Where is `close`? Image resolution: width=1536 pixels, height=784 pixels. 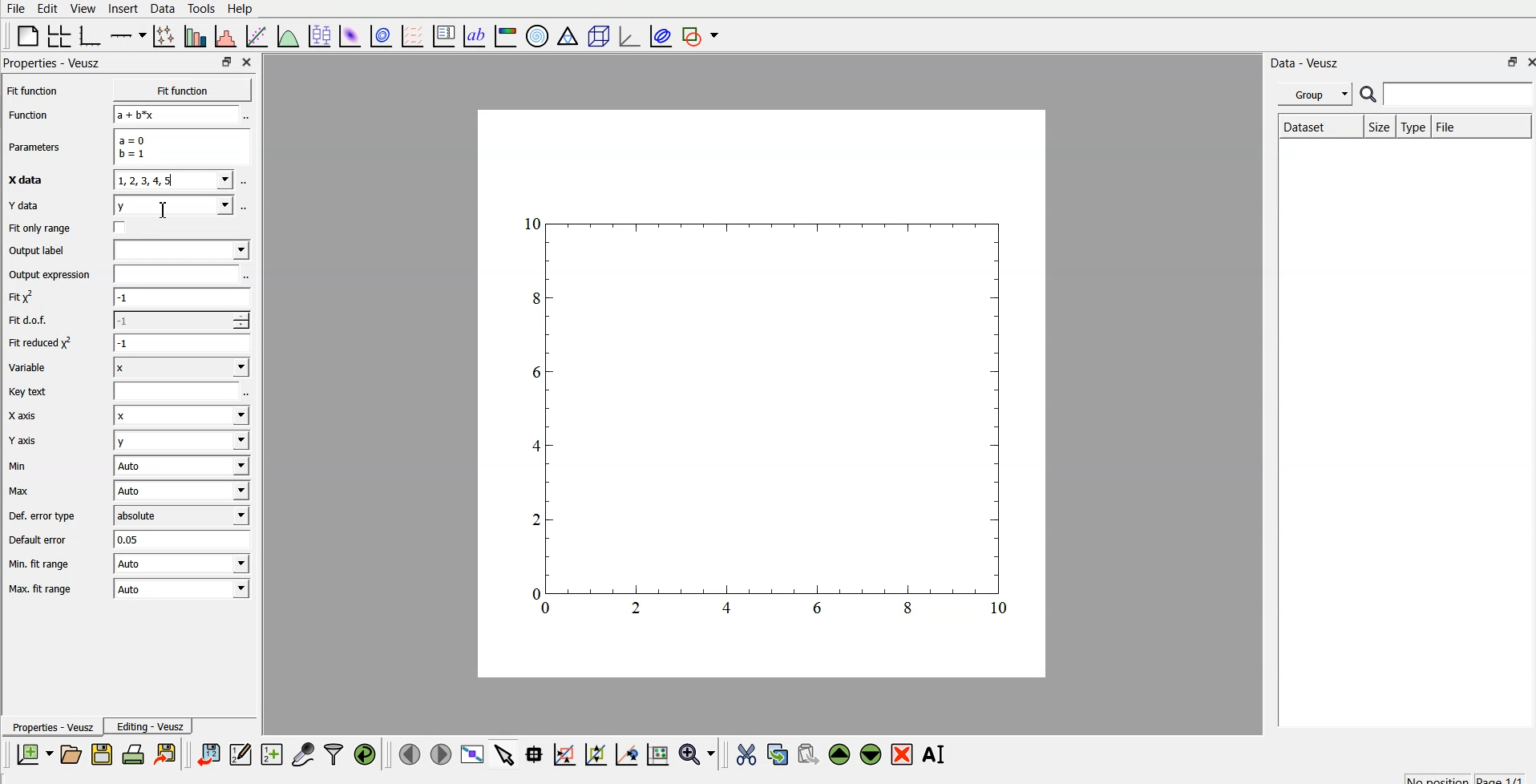 close is located at coordinates (249, 63).